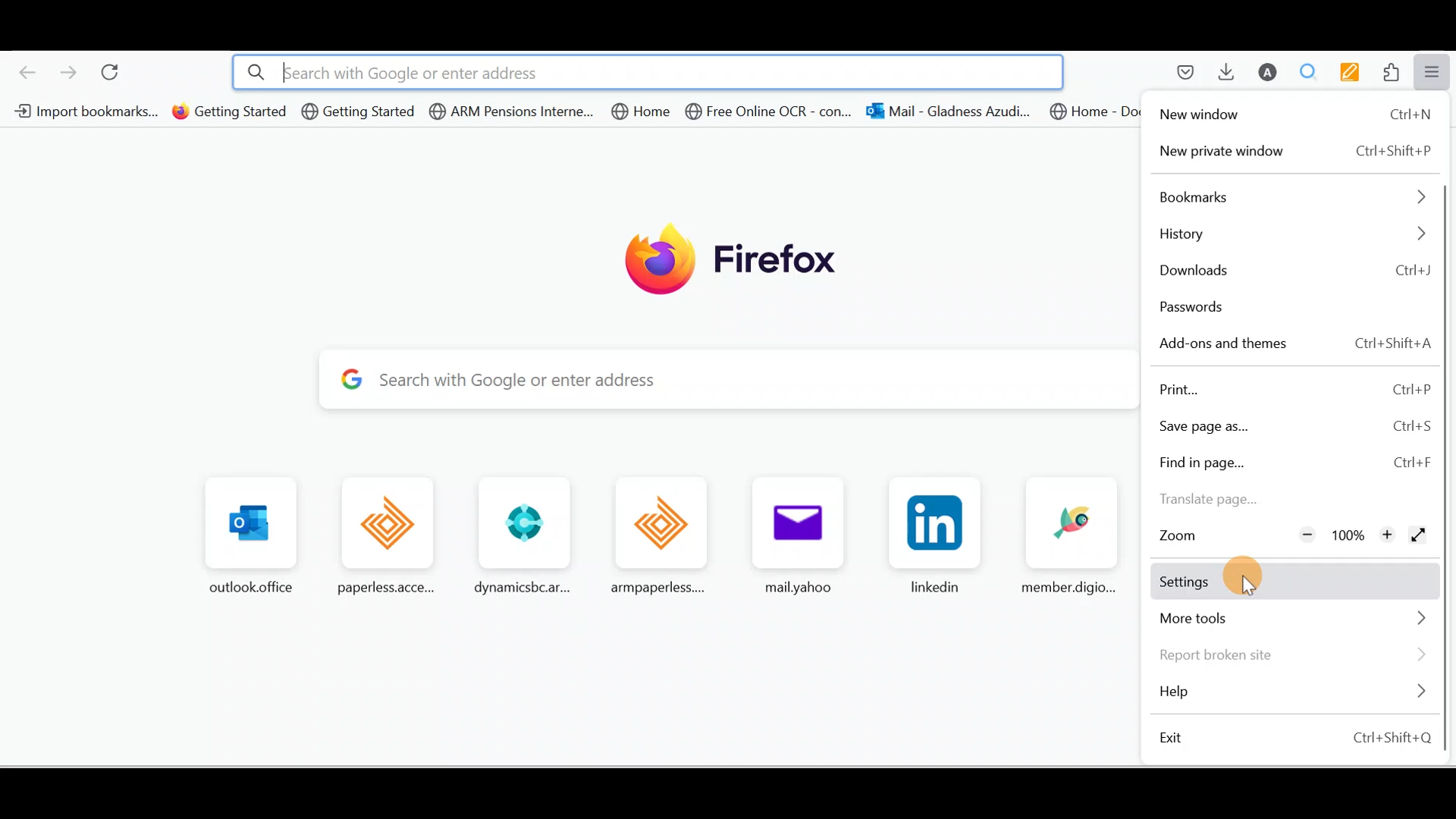 This screenshot has width=1456, height=819. Describe the element at coordinates (1447, 467) in the screenshot. I see `Scroll bar` at that location.